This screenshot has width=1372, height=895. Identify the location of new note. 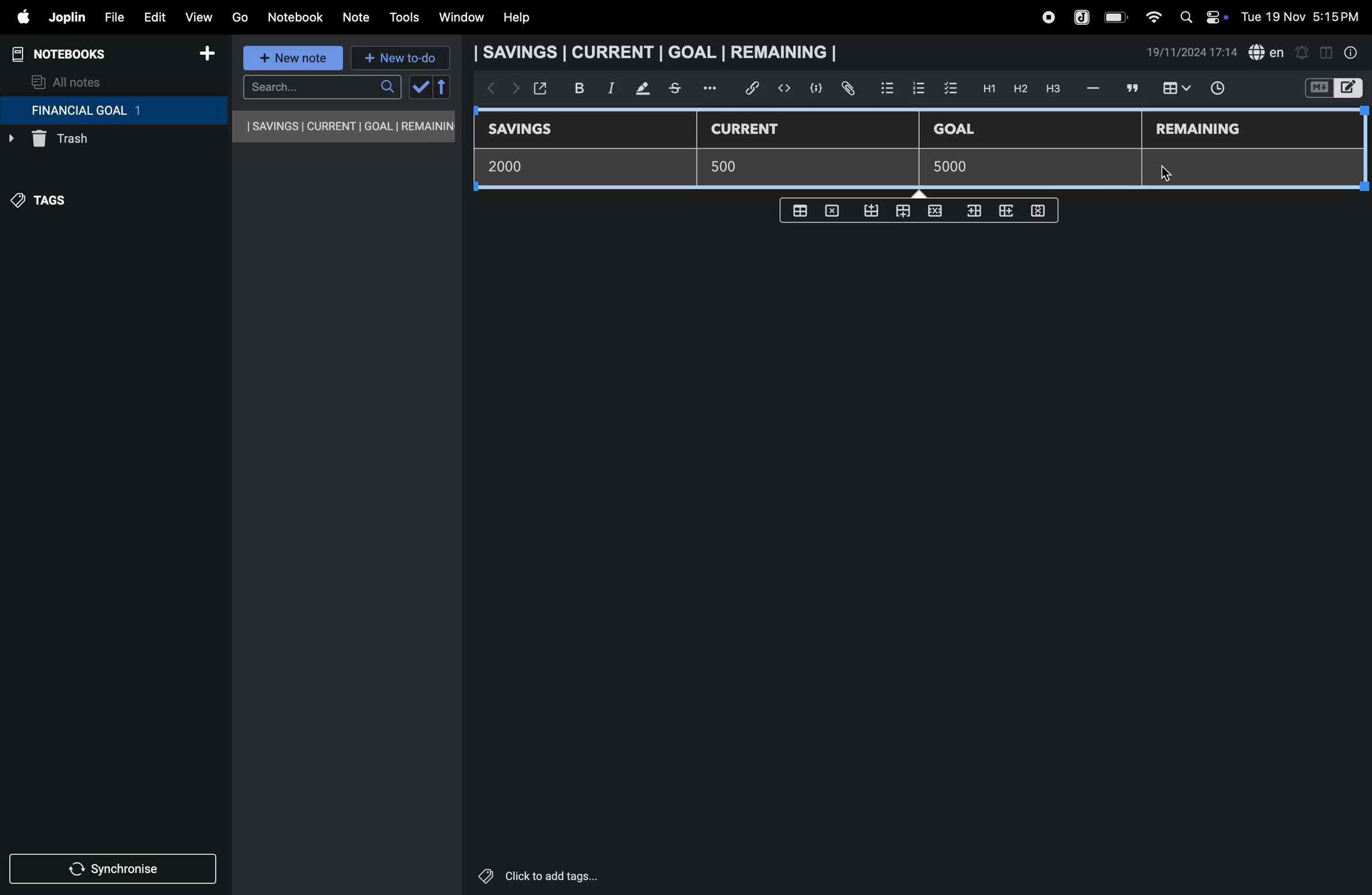
(295, 59).